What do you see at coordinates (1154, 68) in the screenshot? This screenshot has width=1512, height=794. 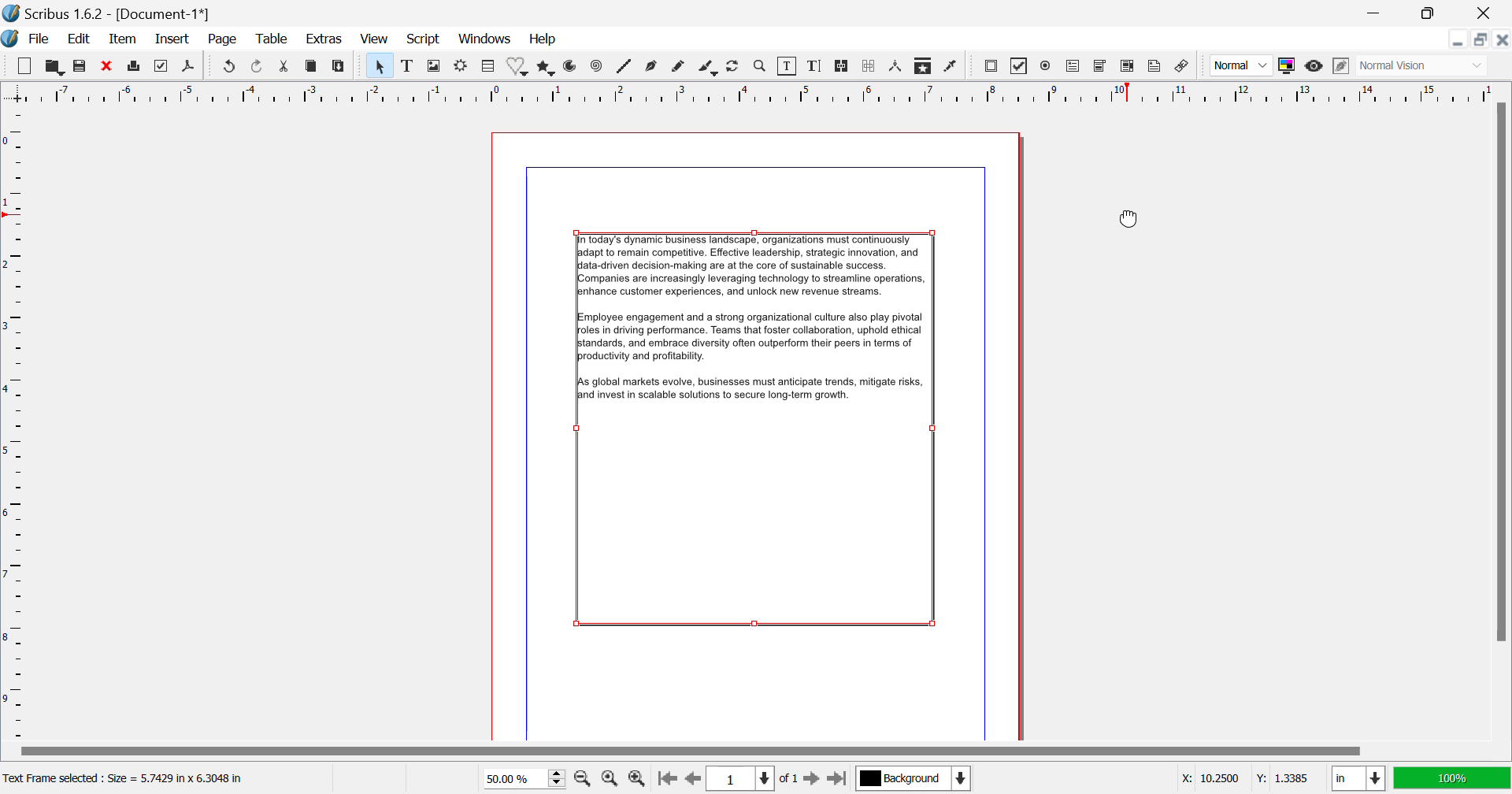 I see `Text Annotation` at bounding box center [1154, 68].